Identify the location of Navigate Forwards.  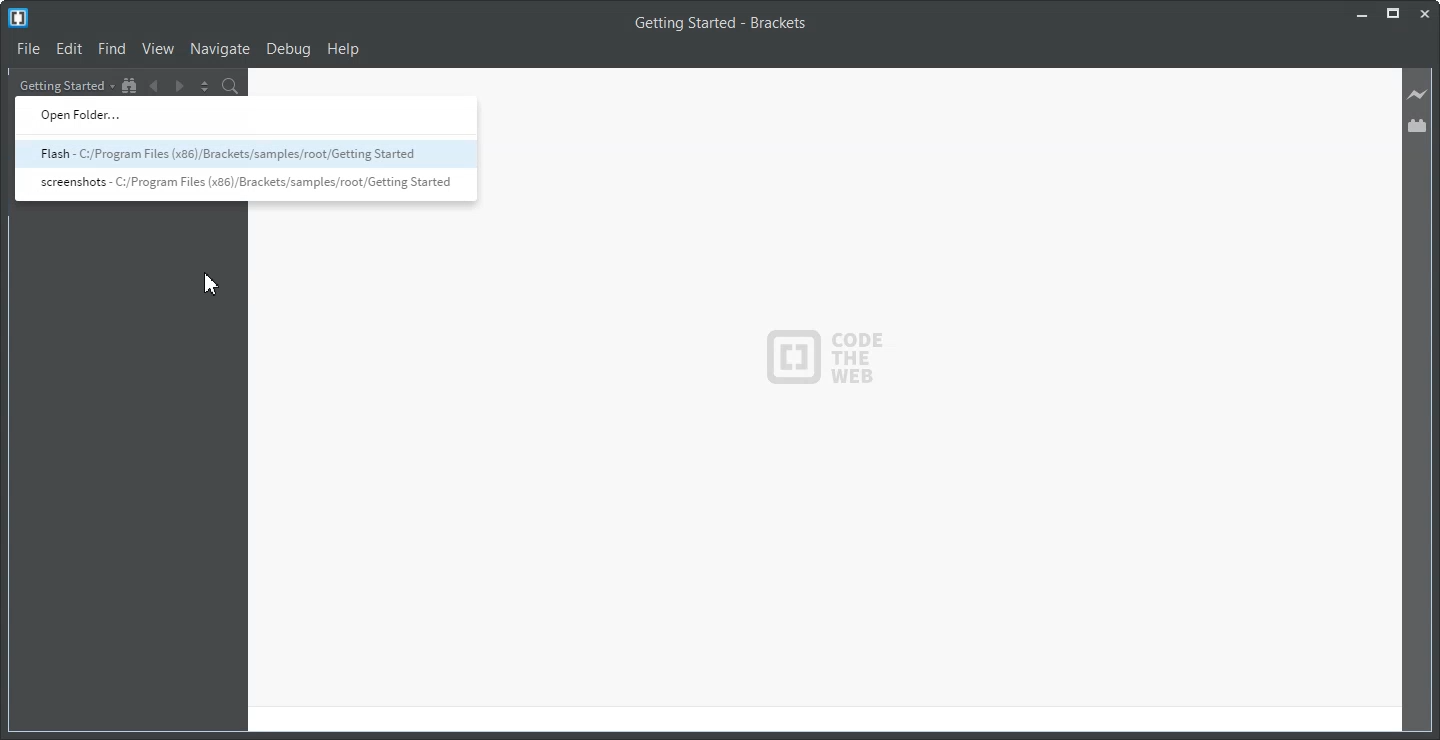
(178, 87).